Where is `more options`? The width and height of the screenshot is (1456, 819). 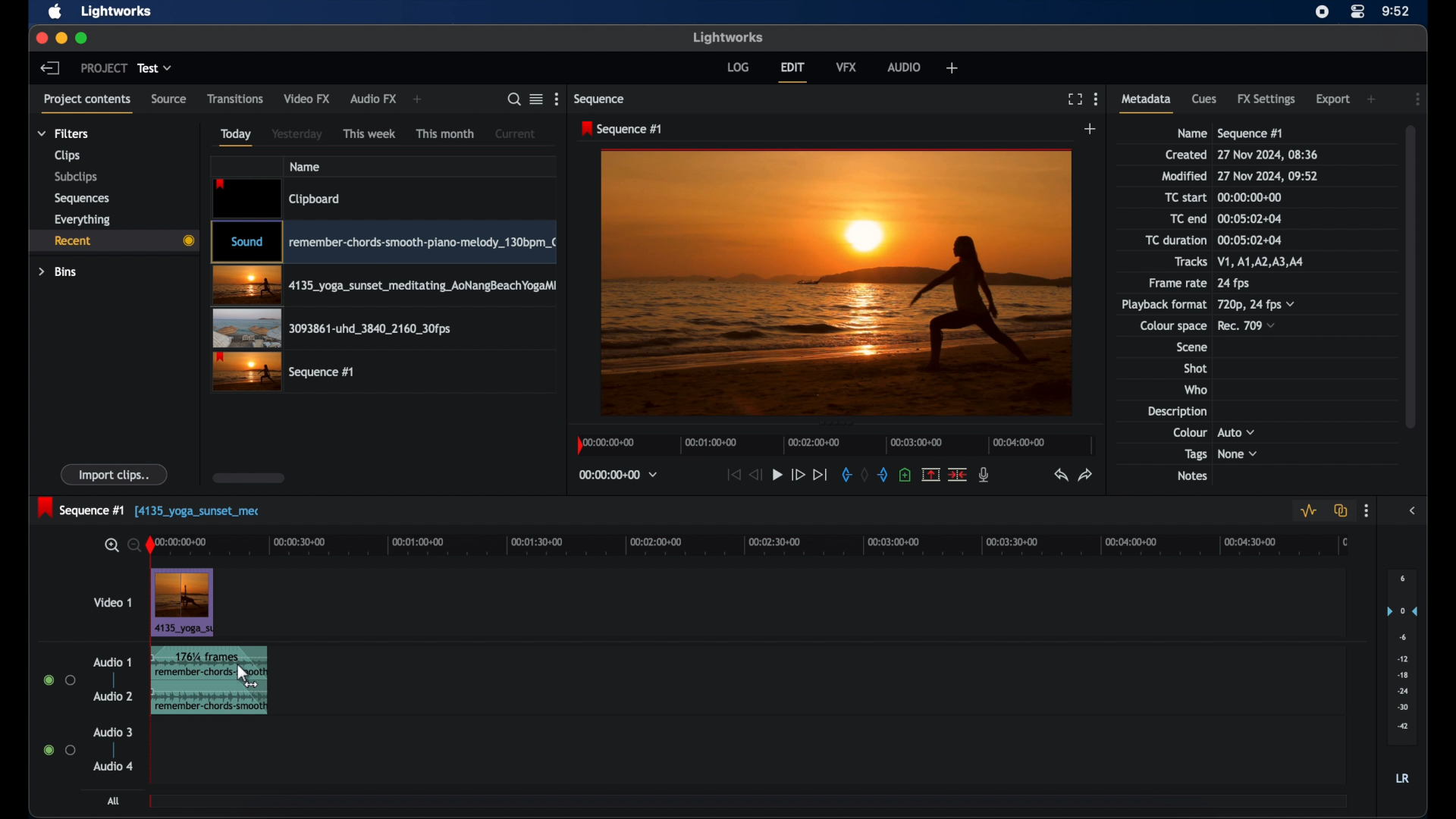 more options is located at coordinates (1367, 511).